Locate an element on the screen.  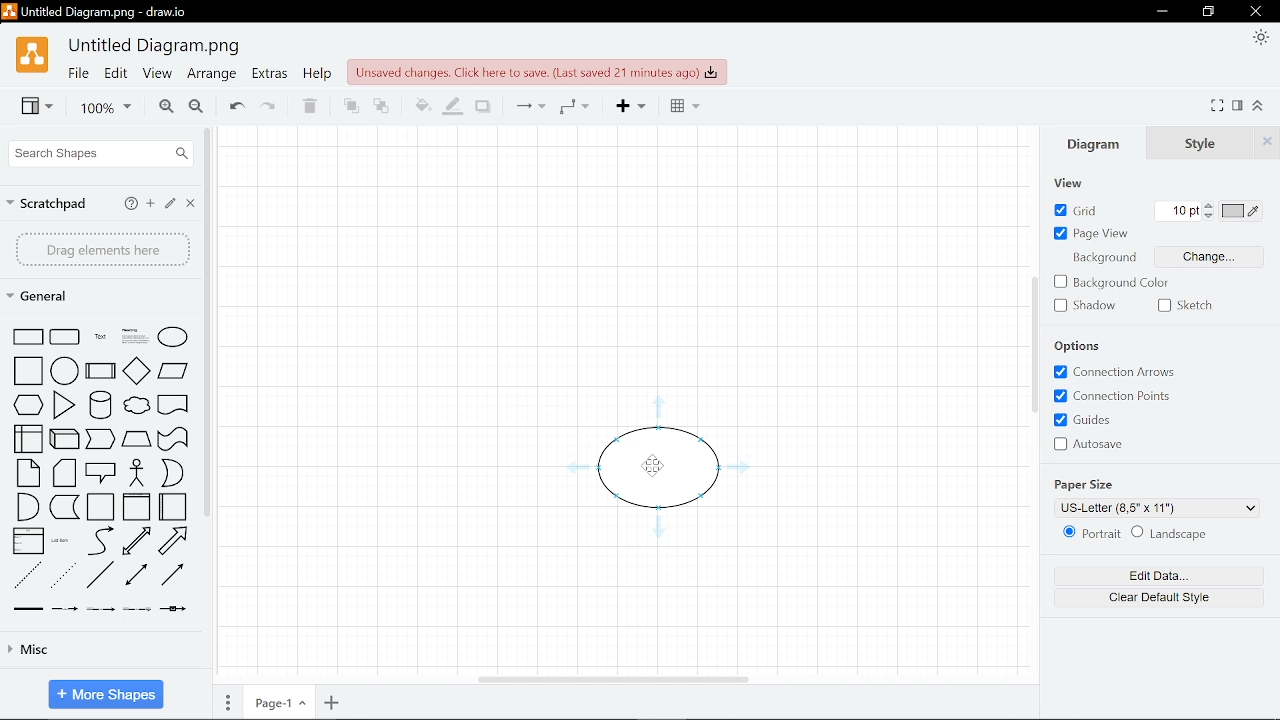
Collapse is located at coordinates (1260, 107).